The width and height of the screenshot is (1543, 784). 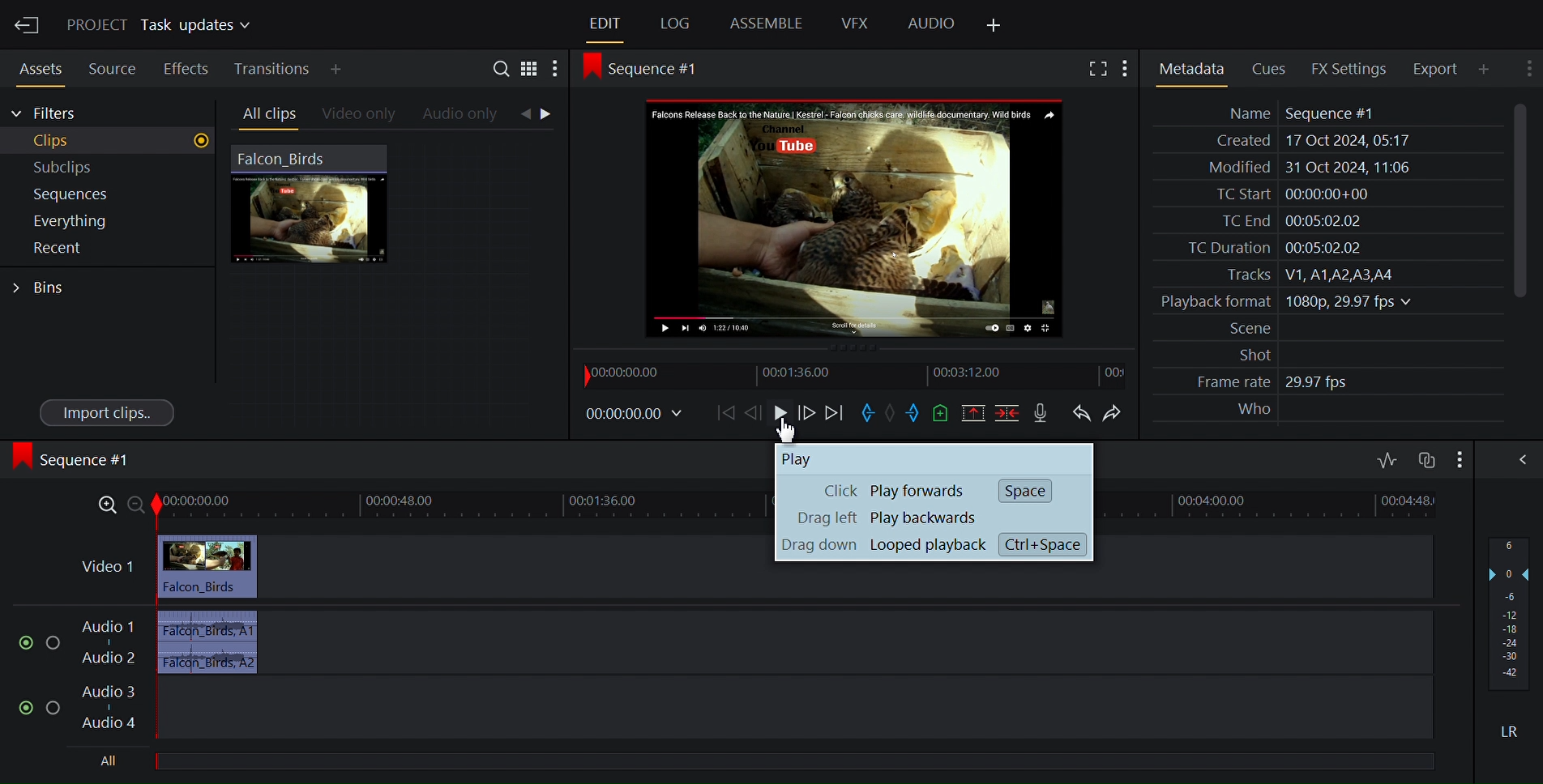 I want to click on Tracks V1, A1,A2,A3,A4, so click(x=1302, y=275).